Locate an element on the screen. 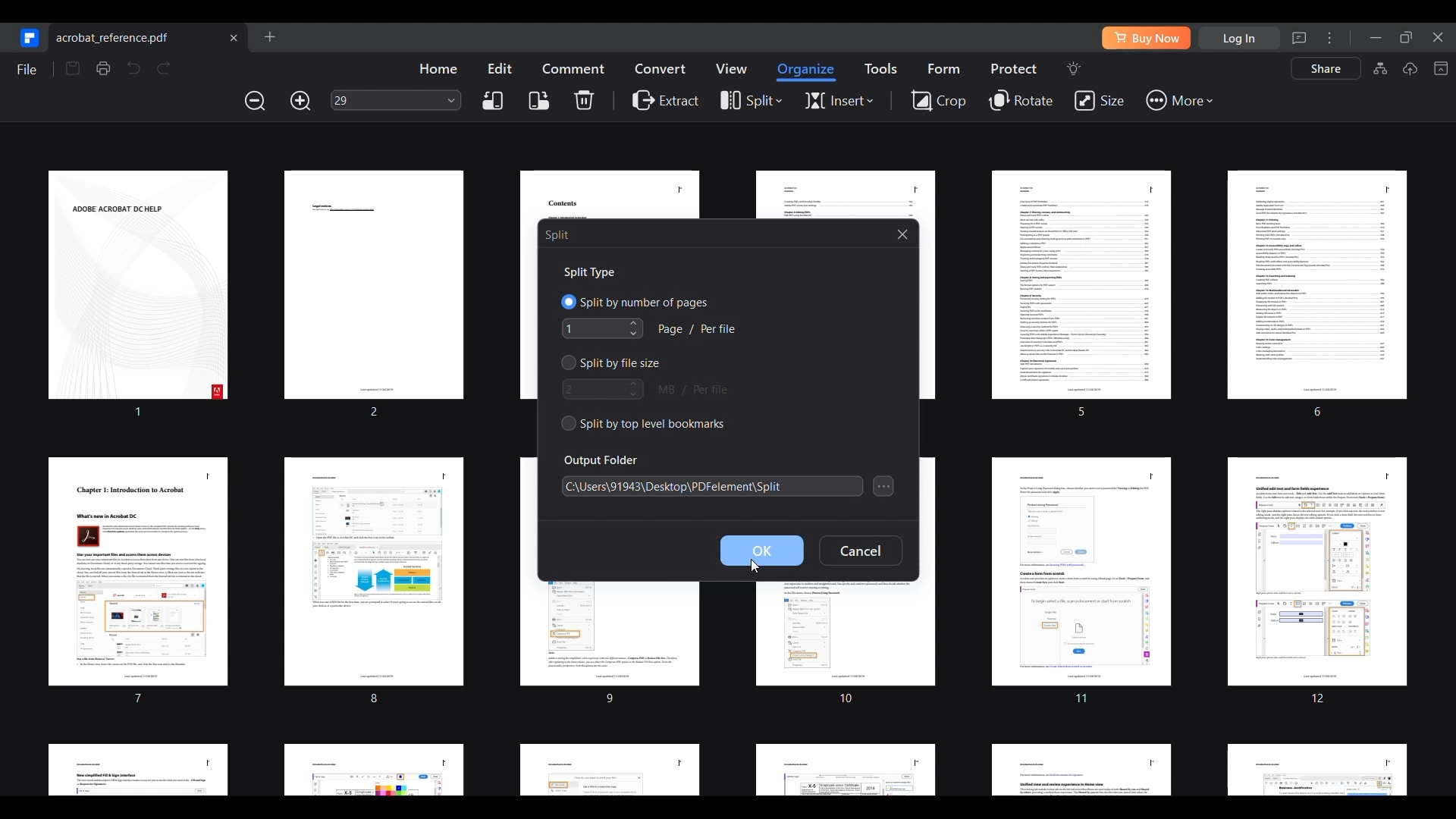 Image resolution: width=1456 pixels, height=819 pixels. Split Type is located at coordinates (591, 269).